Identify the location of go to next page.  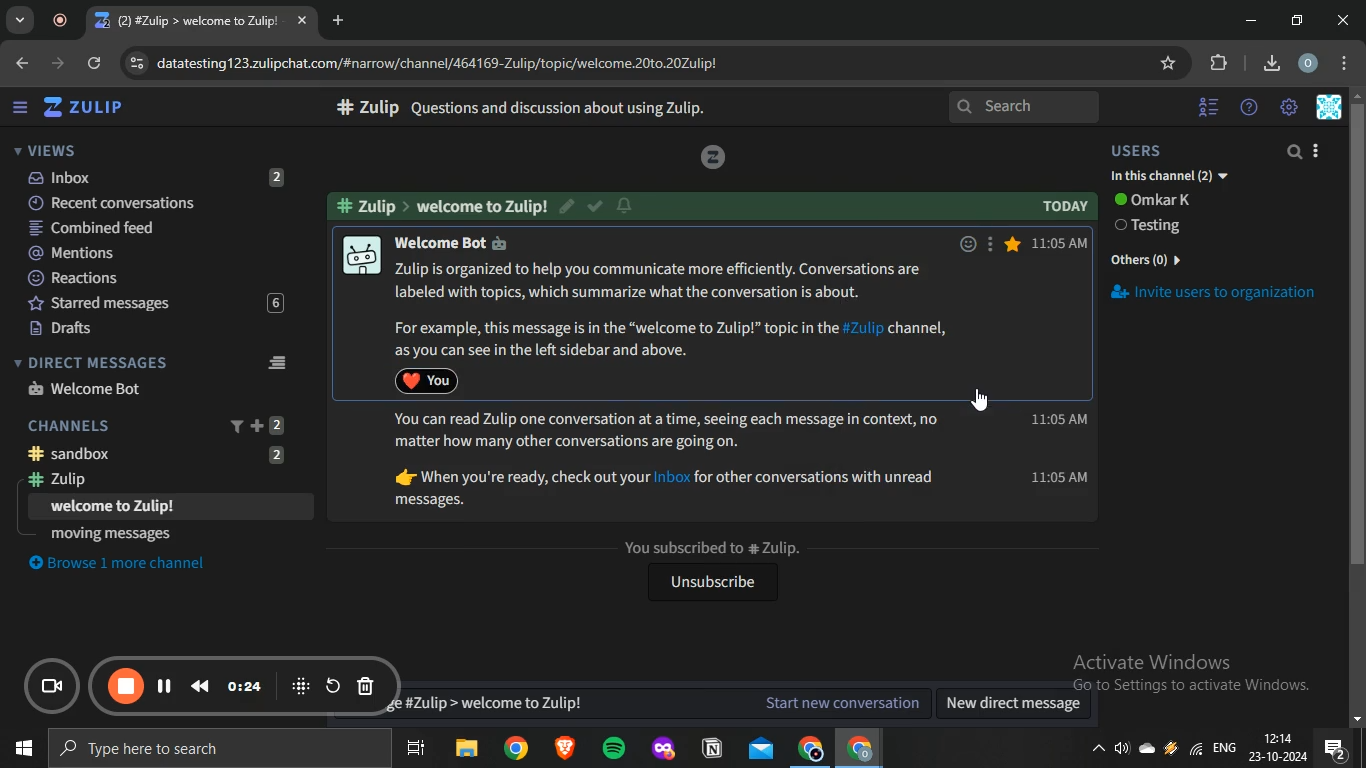
(60, 63).